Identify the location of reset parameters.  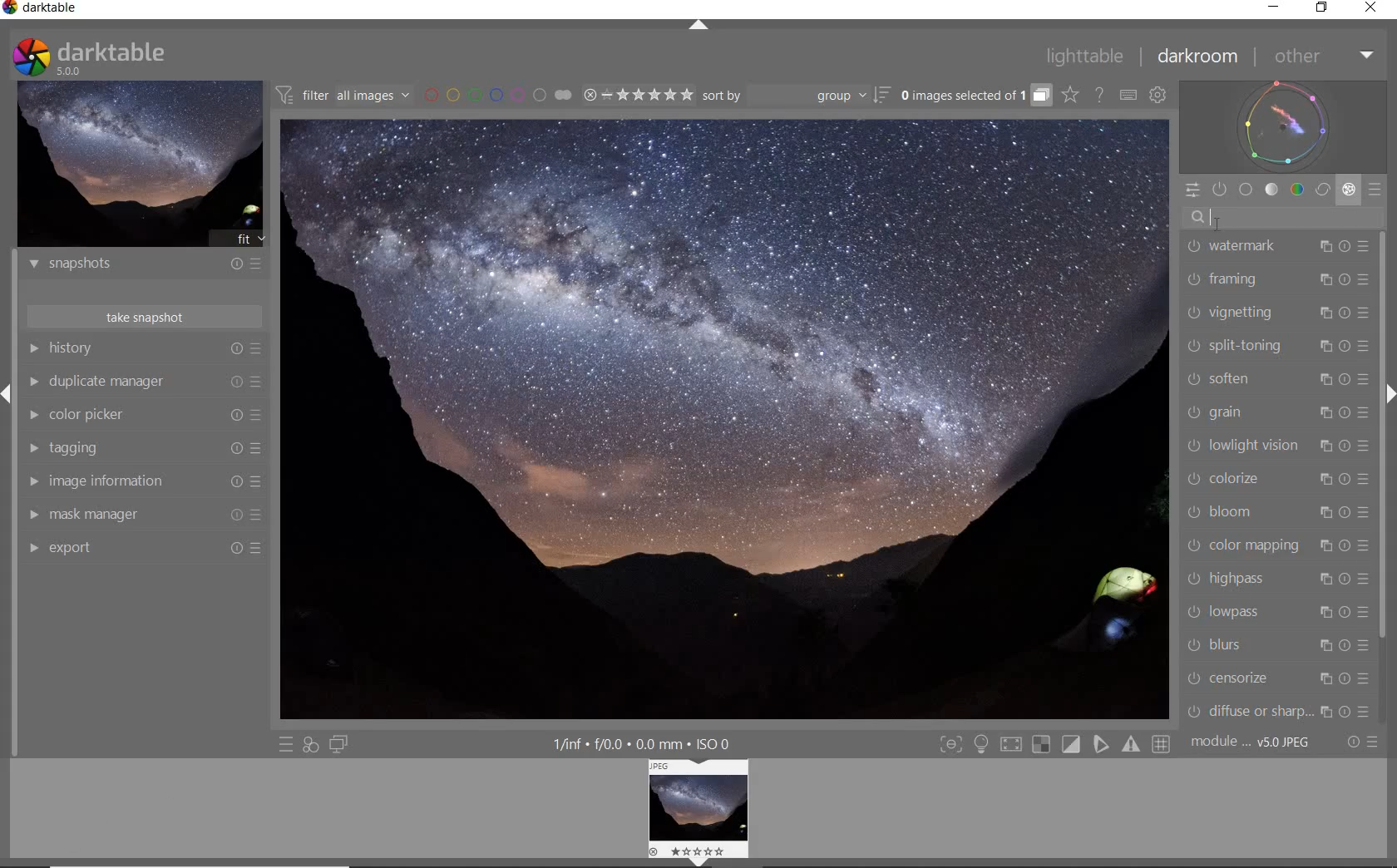
(1346, 278).